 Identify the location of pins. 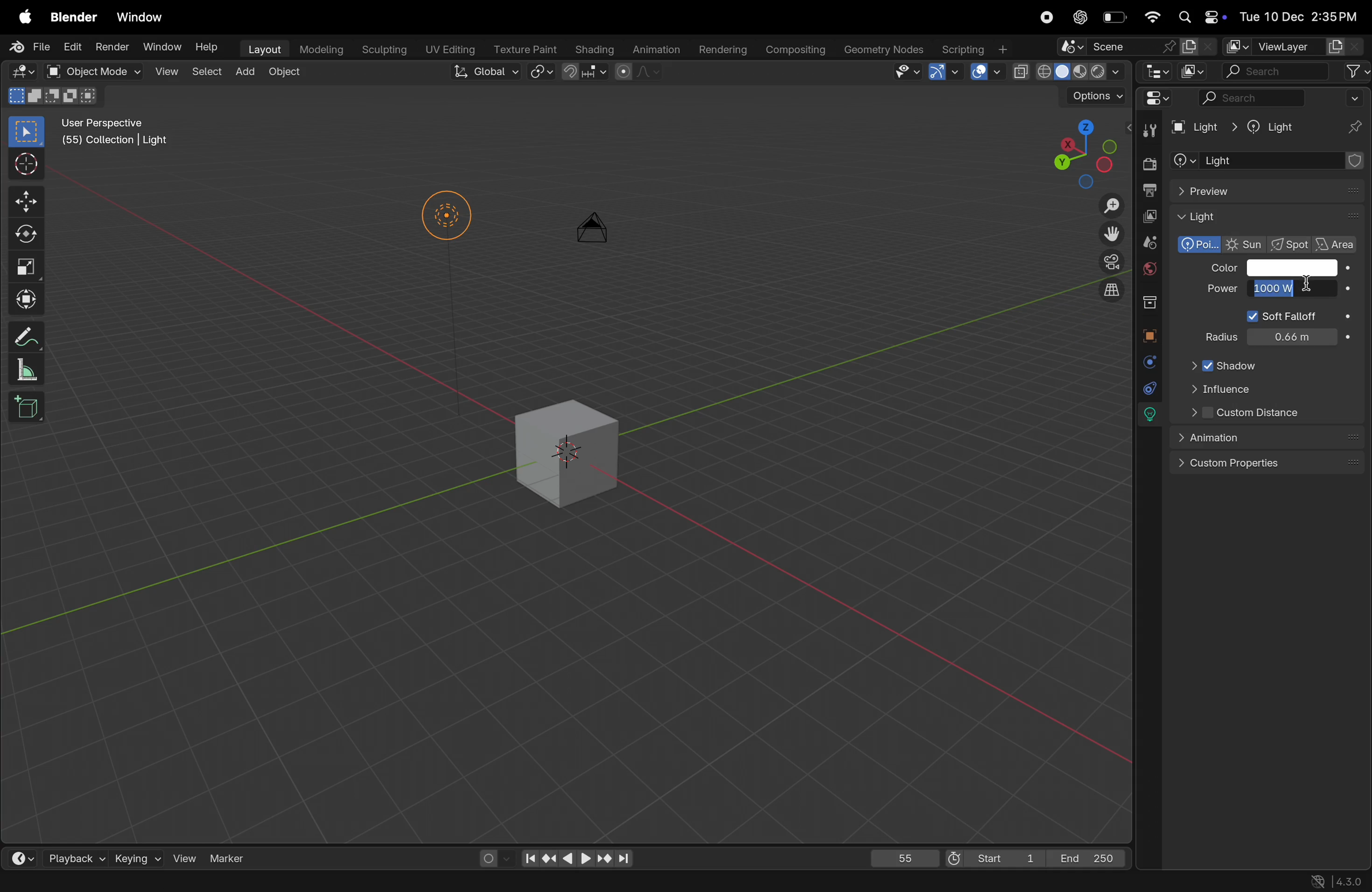
(1356, 126).